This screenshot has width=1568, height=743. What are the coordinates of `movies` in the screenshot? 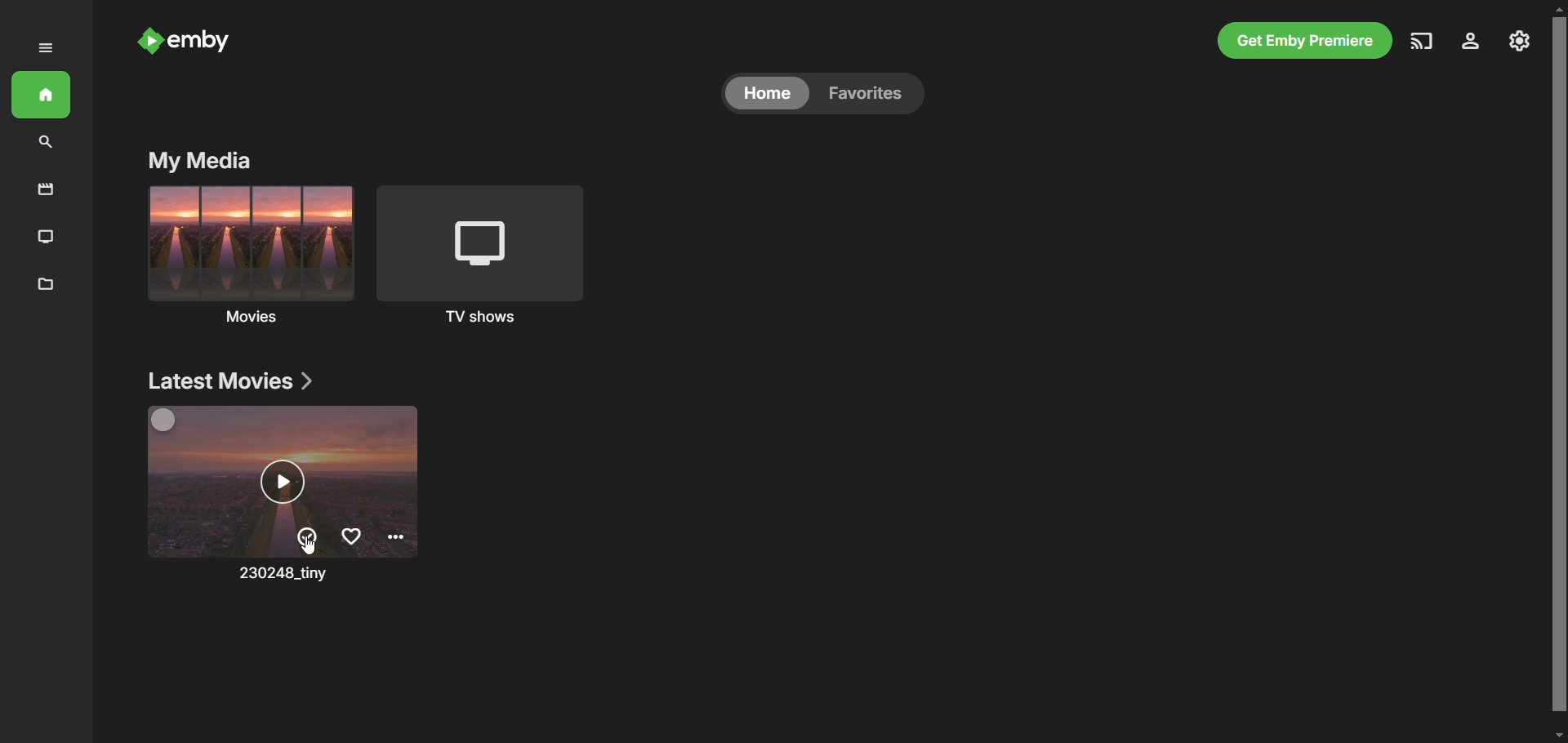 It's located at (47, 187).